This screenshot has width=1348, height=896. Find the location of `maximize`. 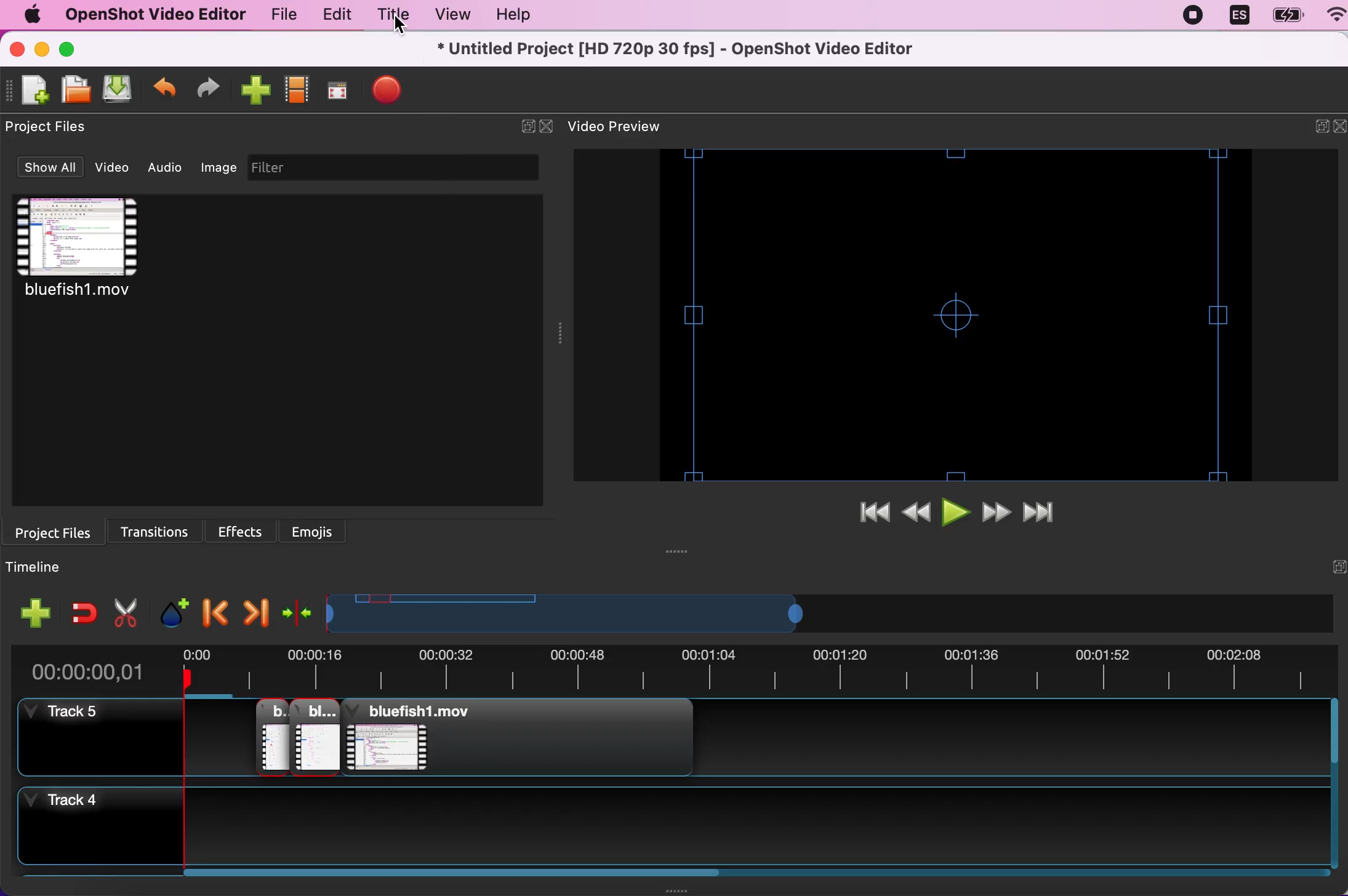

maximize is located at coordinates (74, 49).